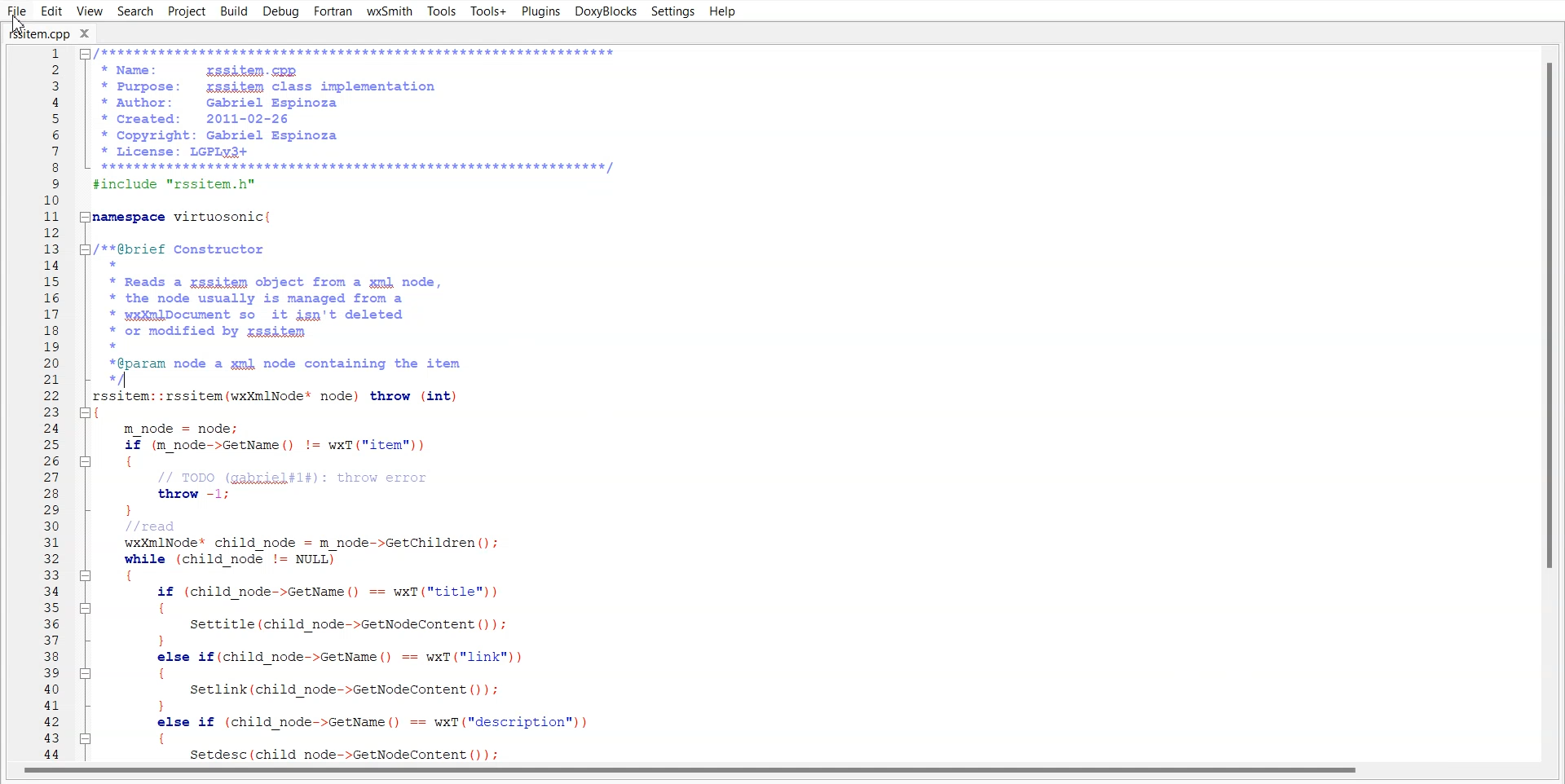 The width and height of the screenshot is (1565, 784). What do you see at coordinates (672, 11) in the screenshot?
I see `Settings` at bounding box center [672, 11].